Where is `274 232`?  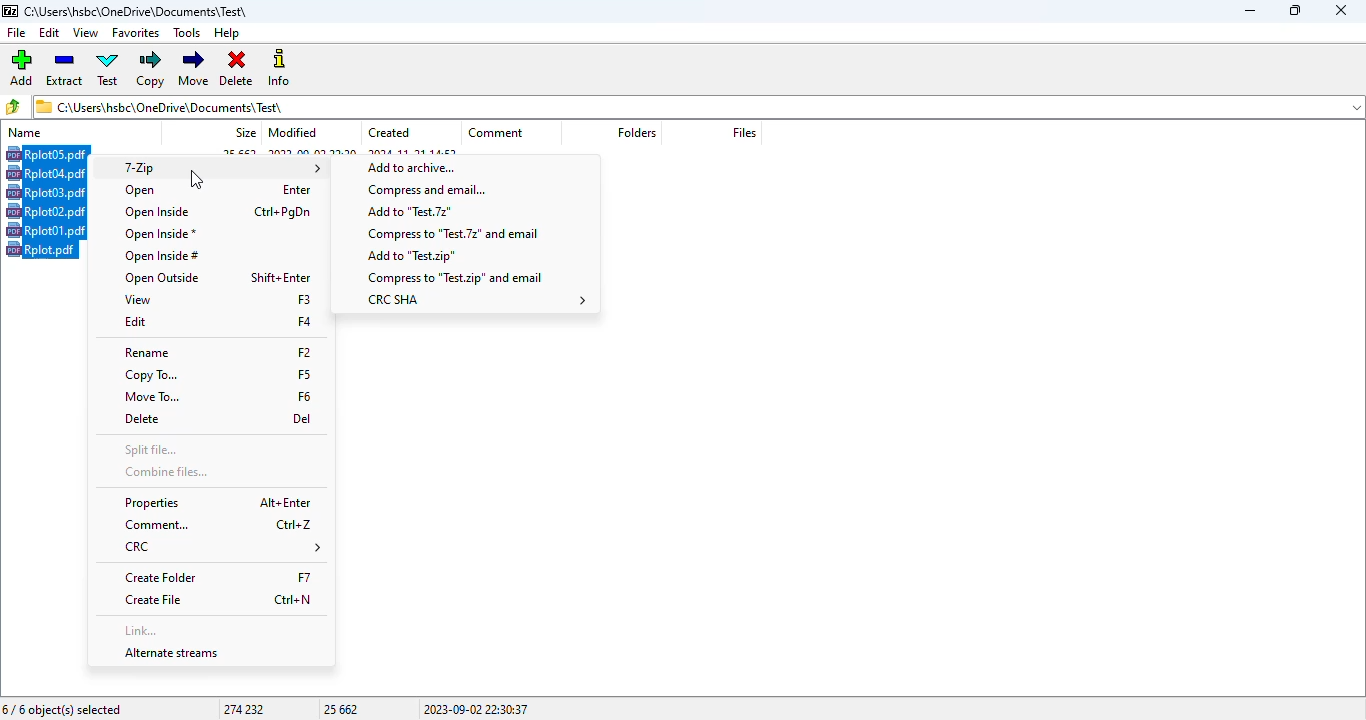 274 232 is located at coordinates (243, 709).